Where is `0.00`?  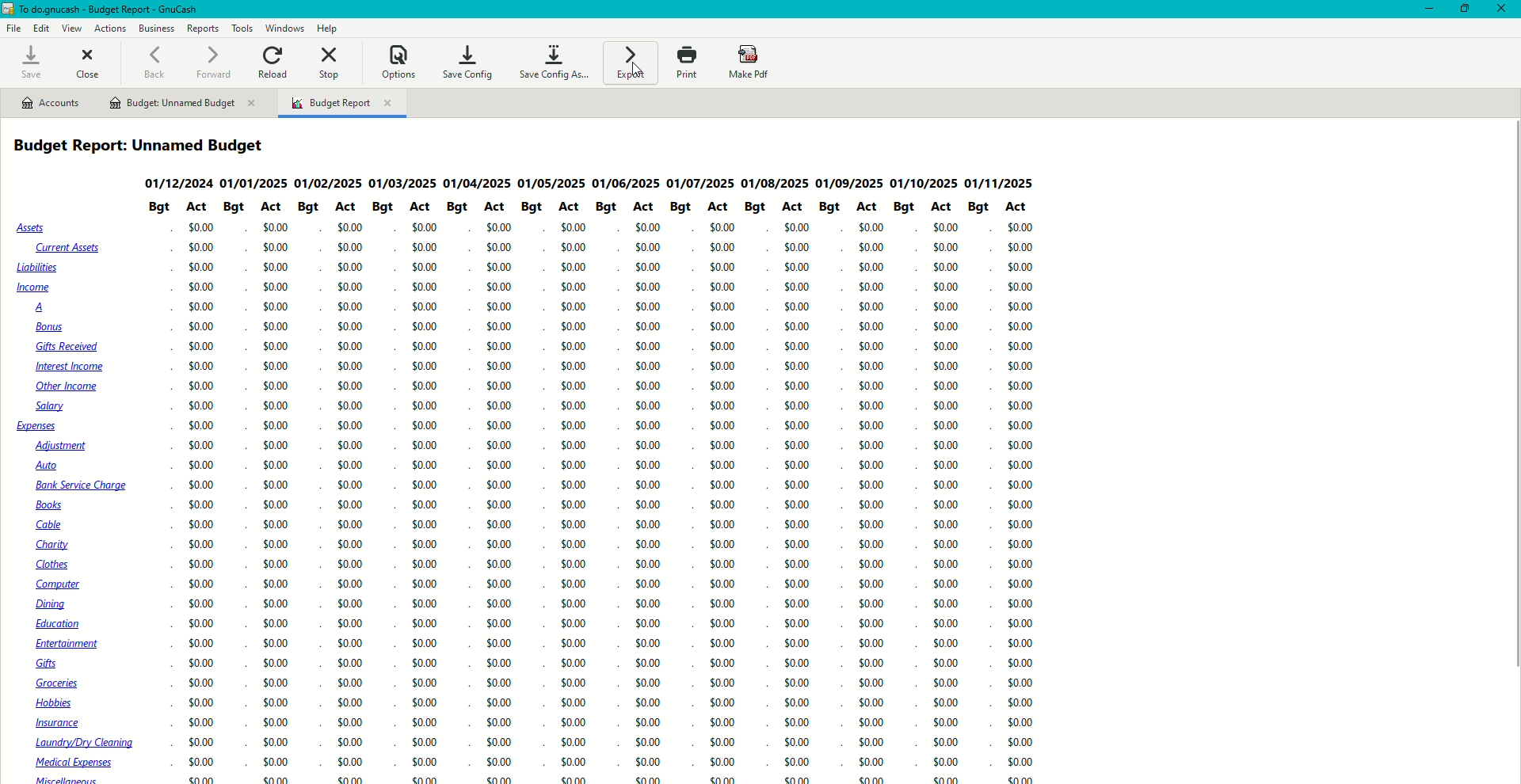 0.00 is located at coordinates (204, 525).